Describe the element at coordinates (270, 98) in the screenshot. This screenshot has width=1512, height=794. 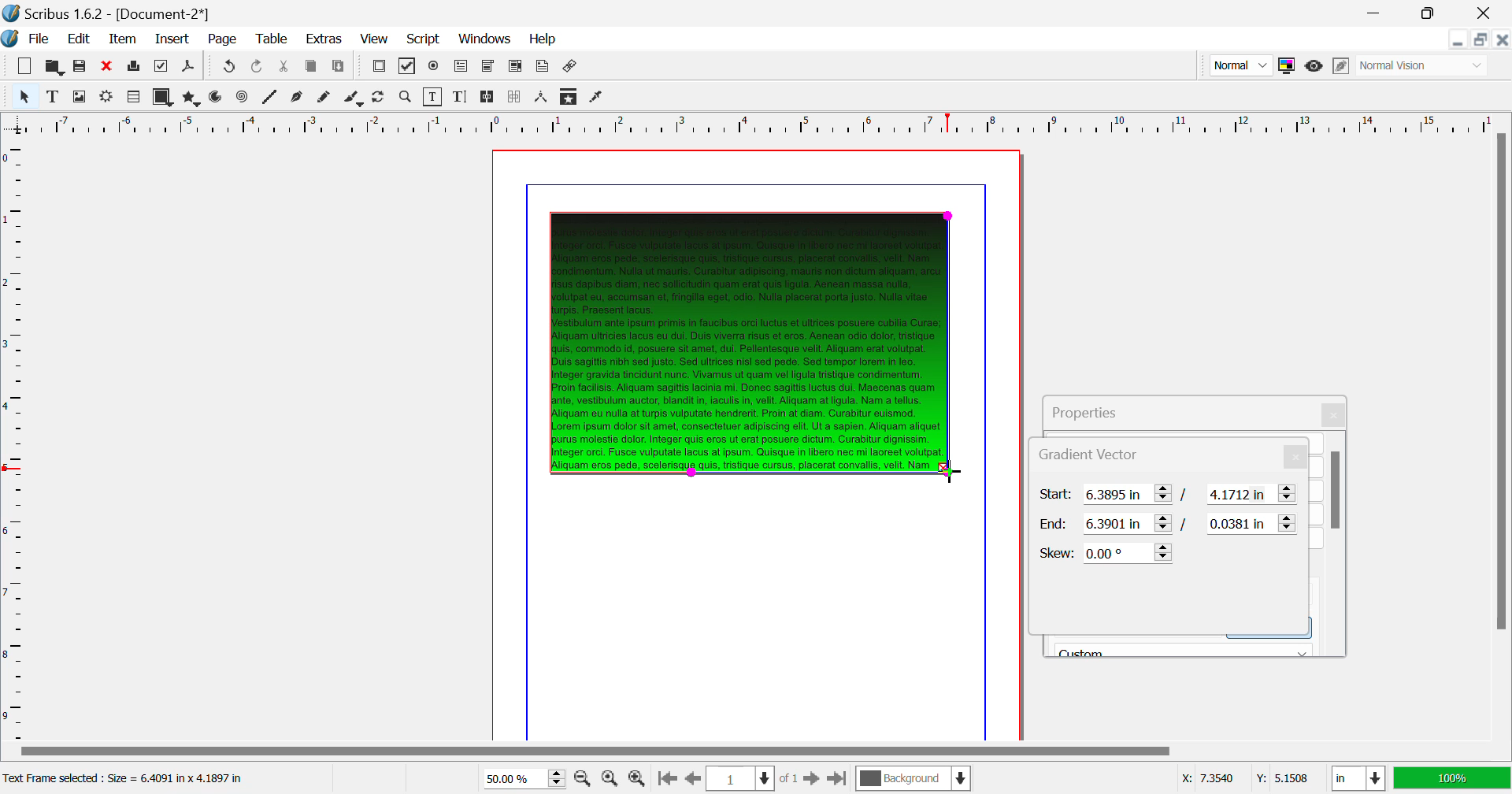
I see `Line` at that location.